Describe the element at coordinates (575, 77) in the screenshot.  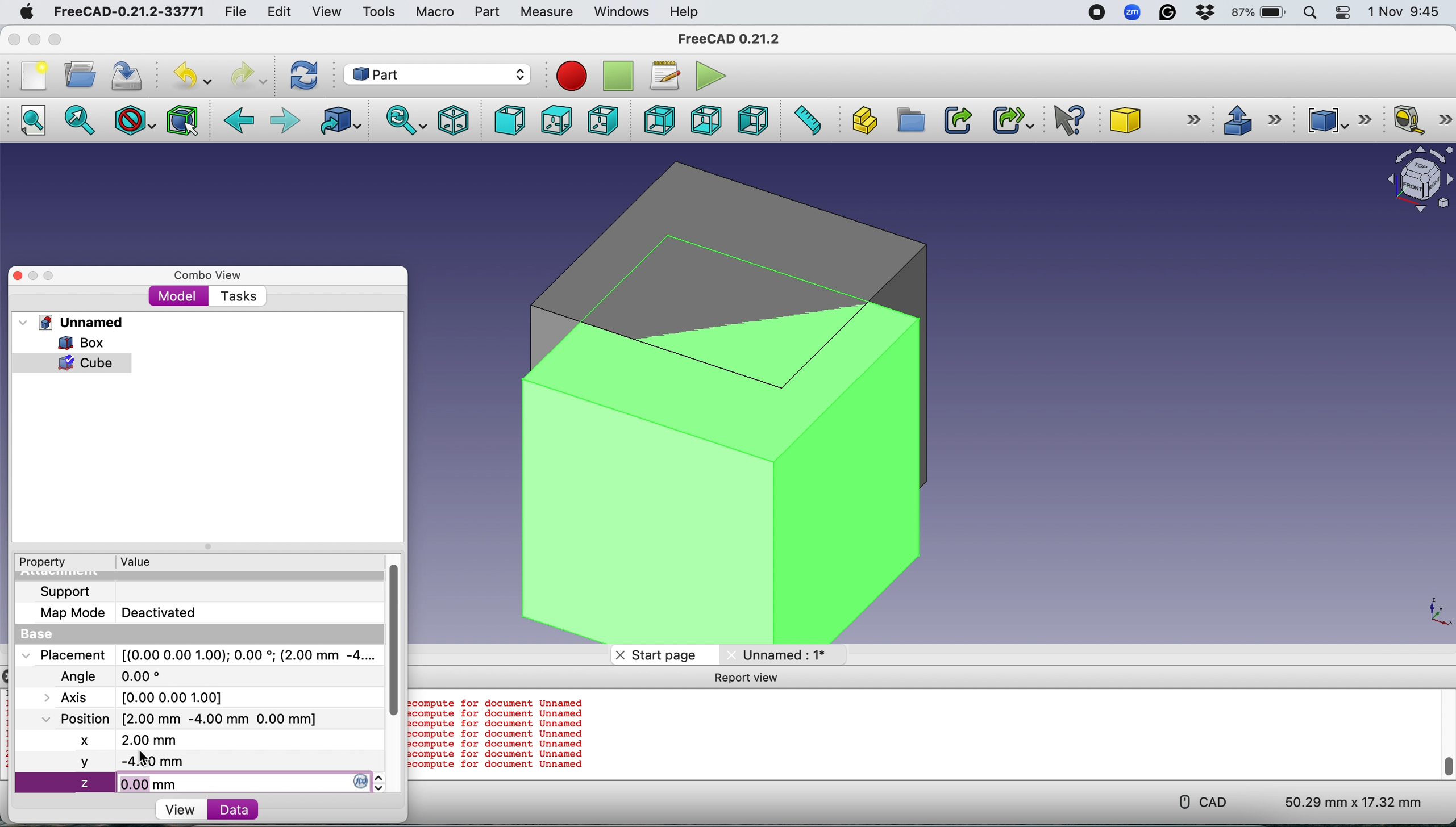
I see `Record macros` at that location.